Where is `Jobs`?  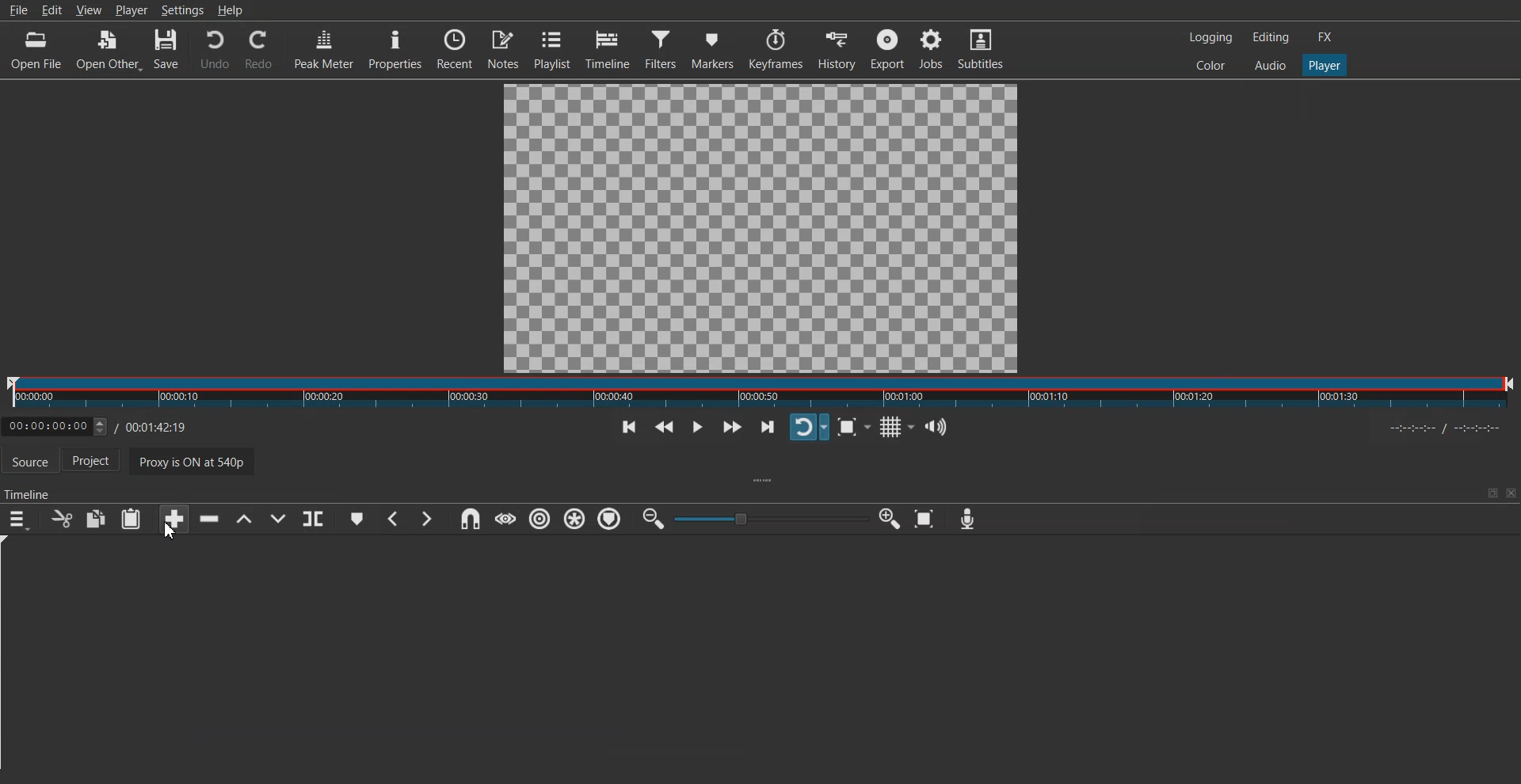
Jobs is located at coordinates (930, 48).